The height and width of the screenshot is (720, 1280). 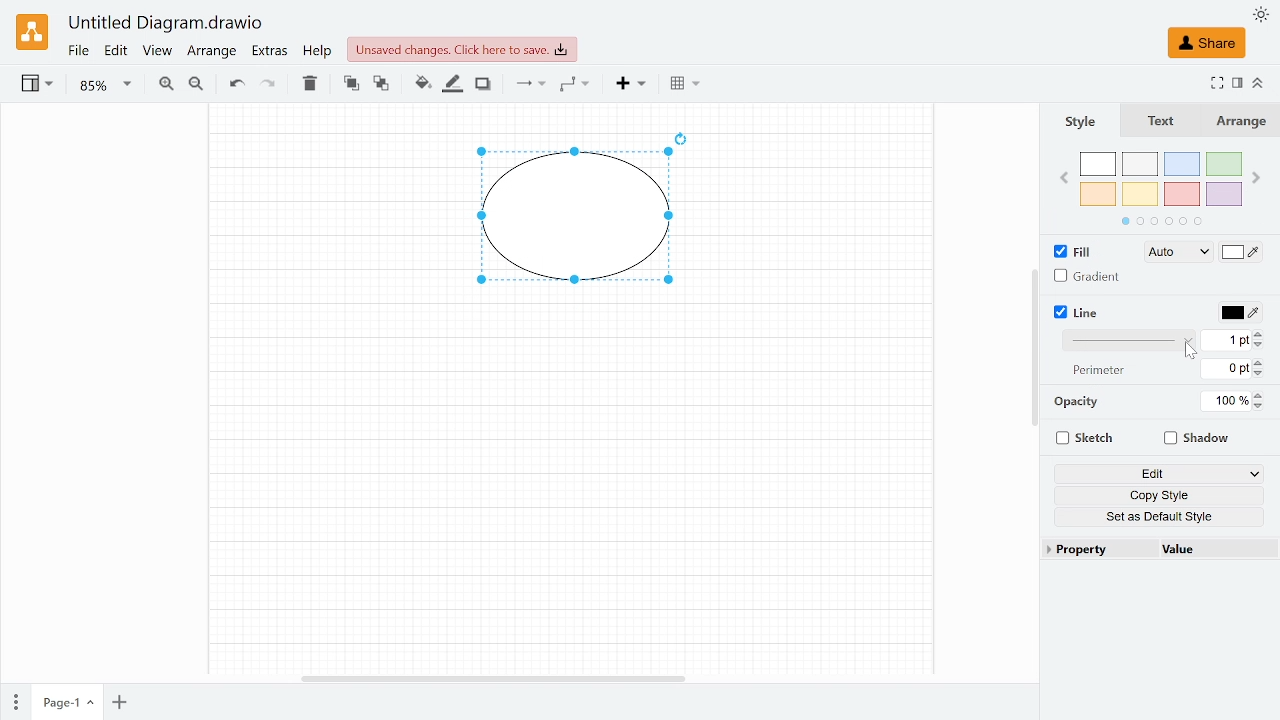 What do you see at coordinates (1170, 252) in the screenshot?
I see `Fill color format` at bounding box center [1170, 252].